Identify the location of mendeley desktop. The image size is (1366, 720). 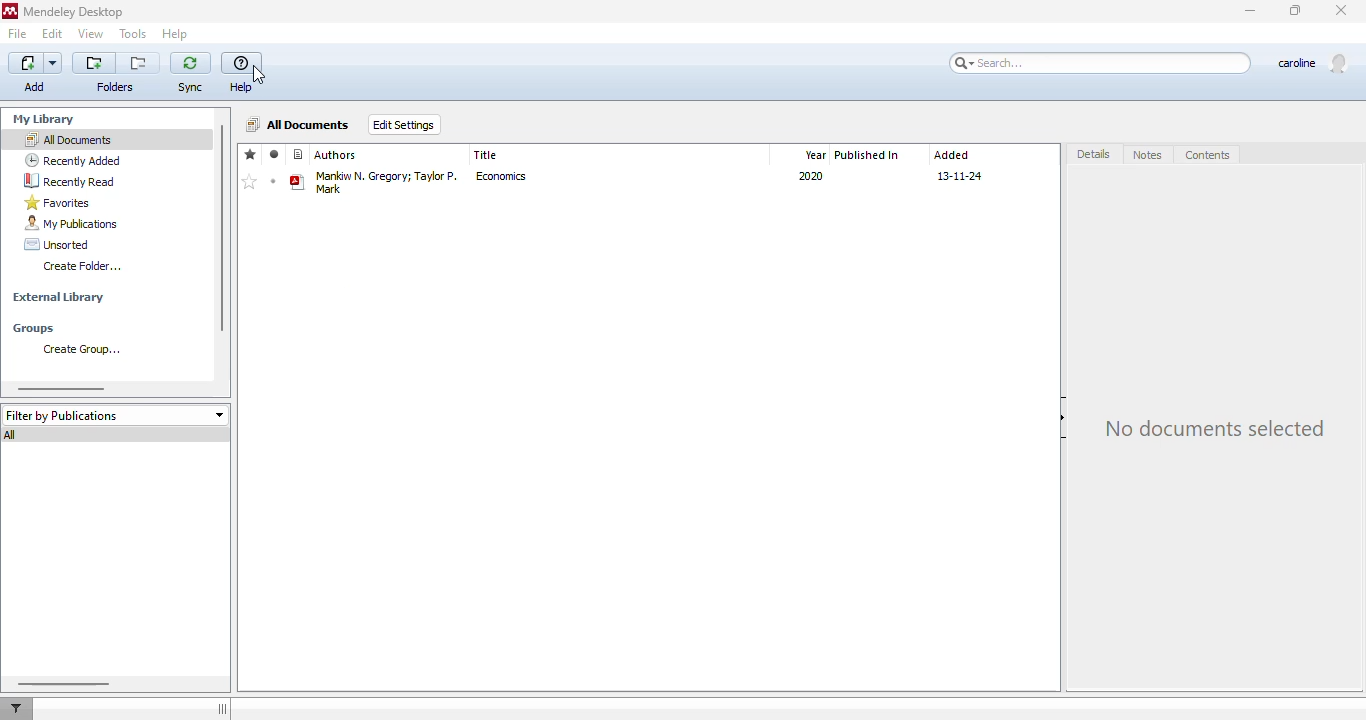
(75, 11).